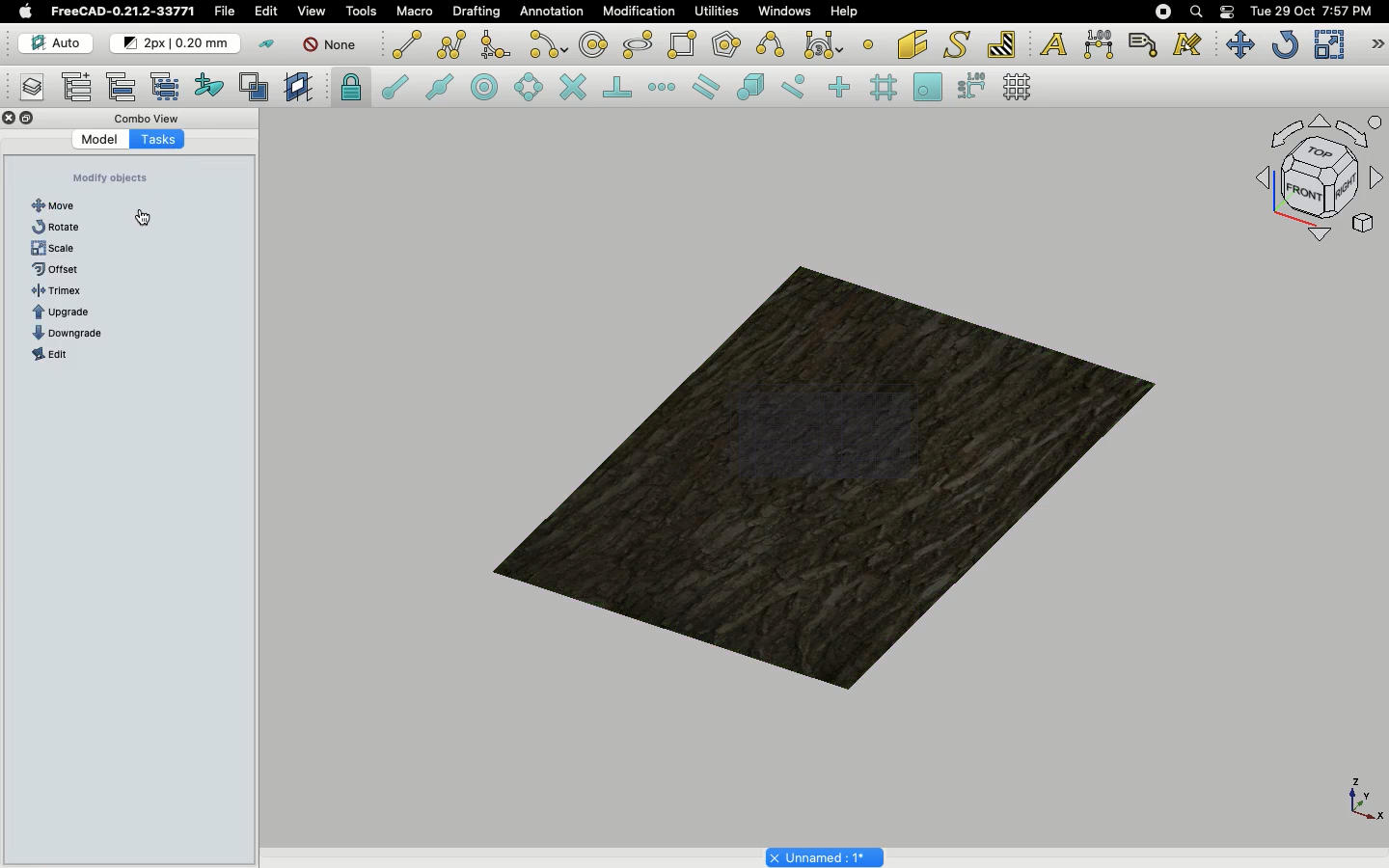 The image size is (1389, 868). I want to click on Snap extension, so click(664, 88).